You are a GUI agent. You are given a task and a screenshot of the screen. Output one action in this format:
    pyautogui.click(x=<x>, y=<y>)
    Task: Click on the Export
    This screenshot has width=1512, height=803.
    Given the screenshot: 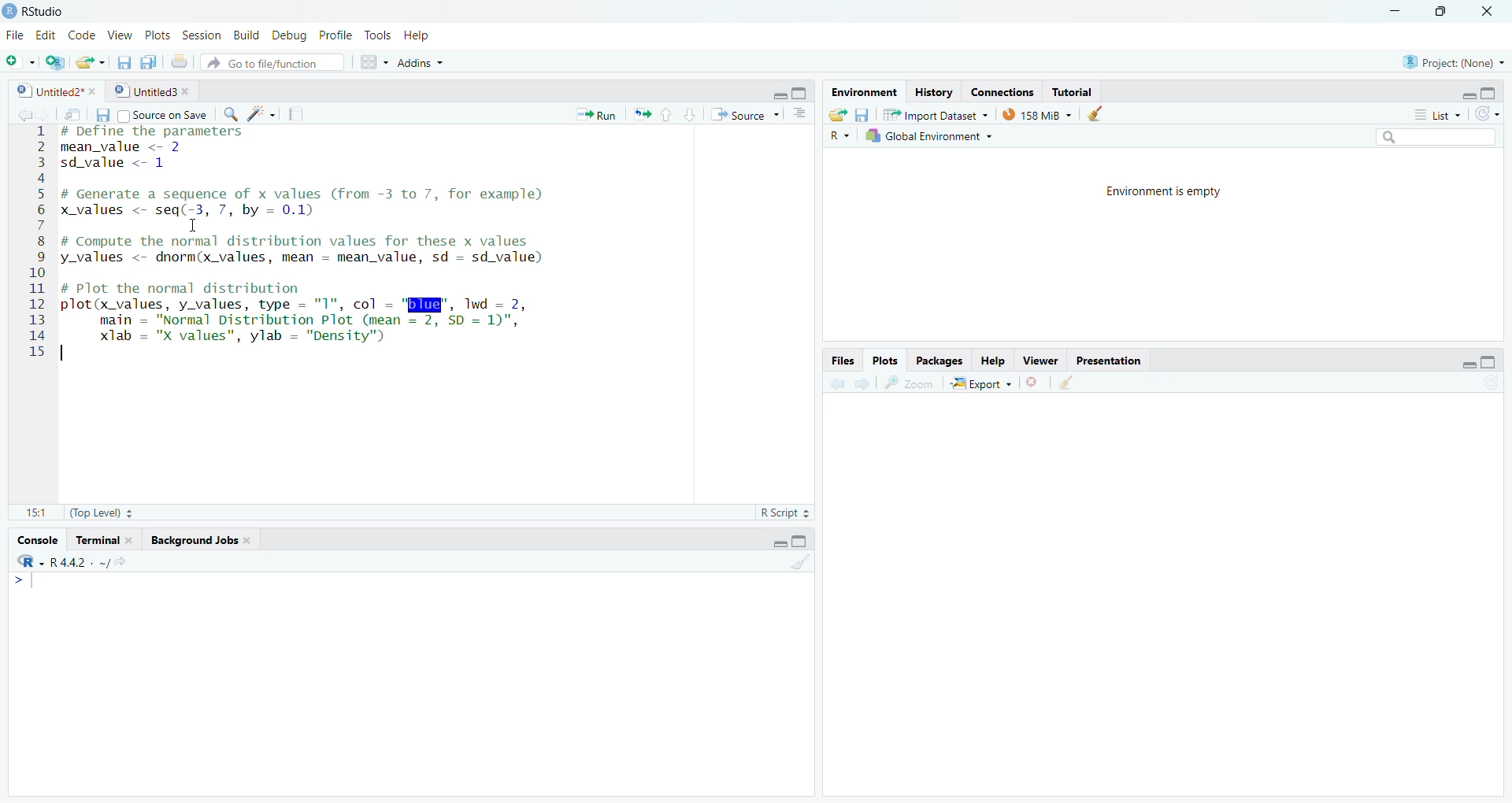 What is the action you would take?
    pyautogui.click(x=984, y=381)
    